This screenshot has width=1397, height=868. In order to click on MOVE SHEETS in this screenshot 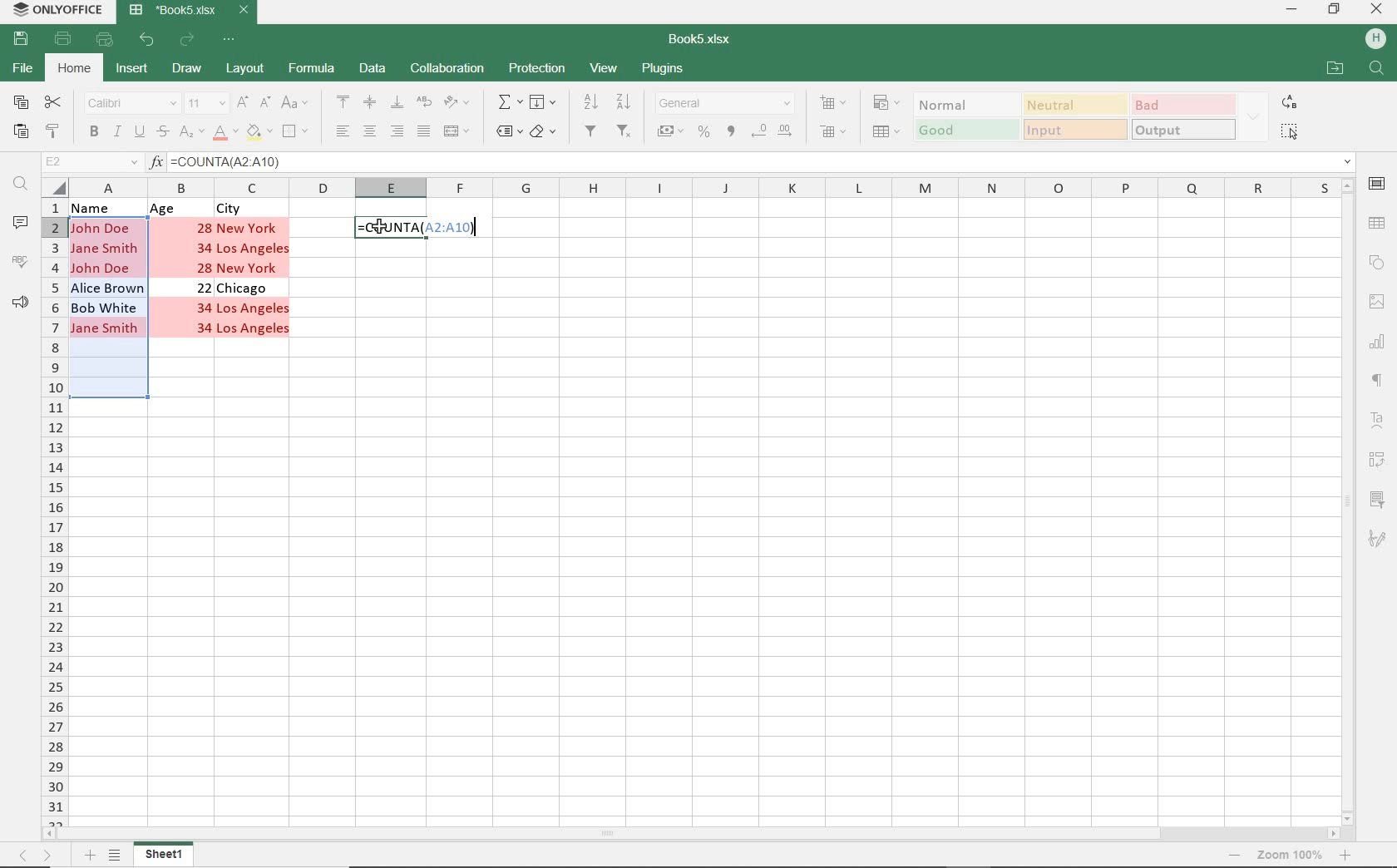, I will do `click(34, 856)`.